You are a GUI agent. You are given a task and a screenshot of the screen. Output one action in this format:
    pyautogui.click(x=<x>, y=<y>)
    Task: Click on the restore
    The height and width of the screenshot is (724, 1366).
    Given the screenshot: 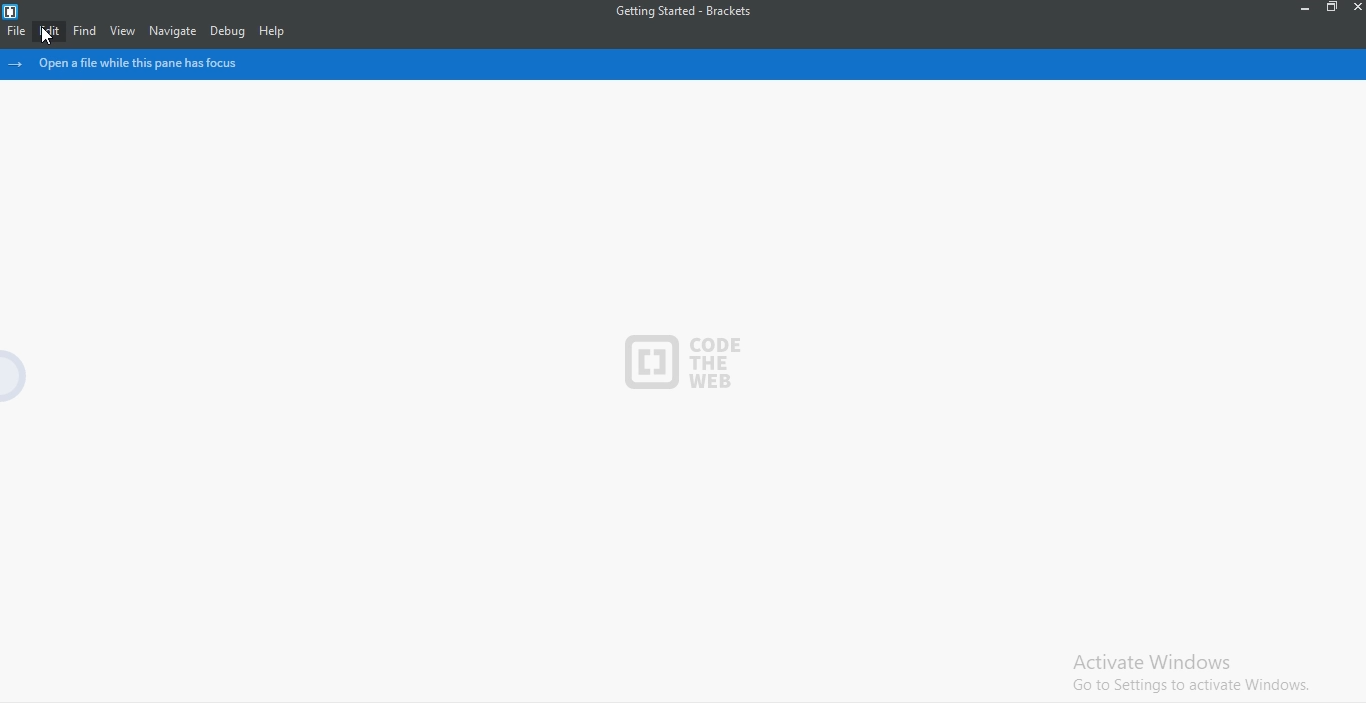 What is the action you would take?
    pyautogui.click(x=1334, y=8)
    